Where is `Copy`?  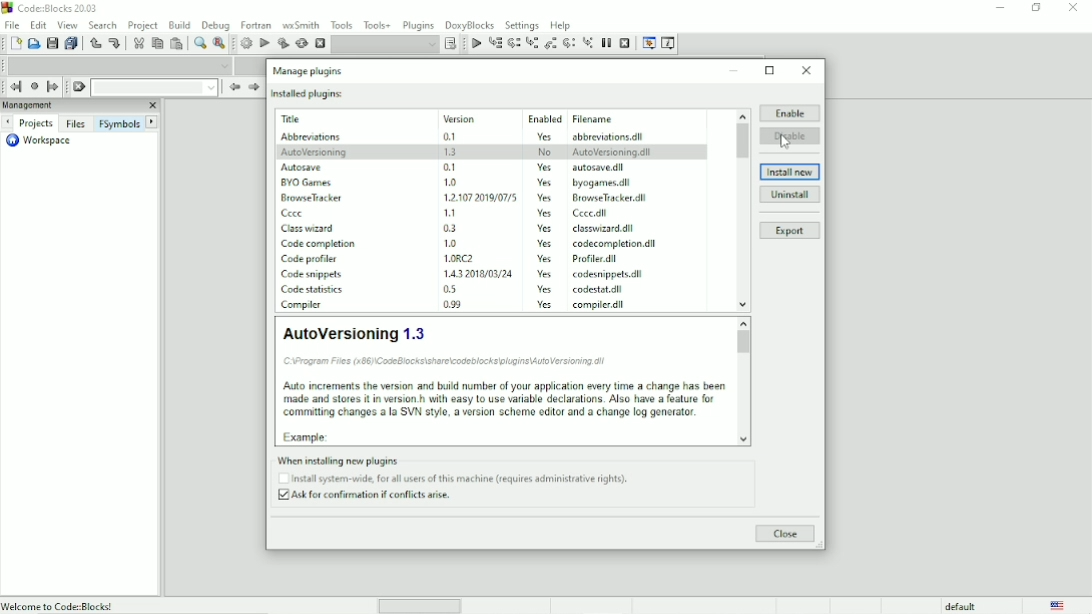 Copy is located at coordinates (157, 43).